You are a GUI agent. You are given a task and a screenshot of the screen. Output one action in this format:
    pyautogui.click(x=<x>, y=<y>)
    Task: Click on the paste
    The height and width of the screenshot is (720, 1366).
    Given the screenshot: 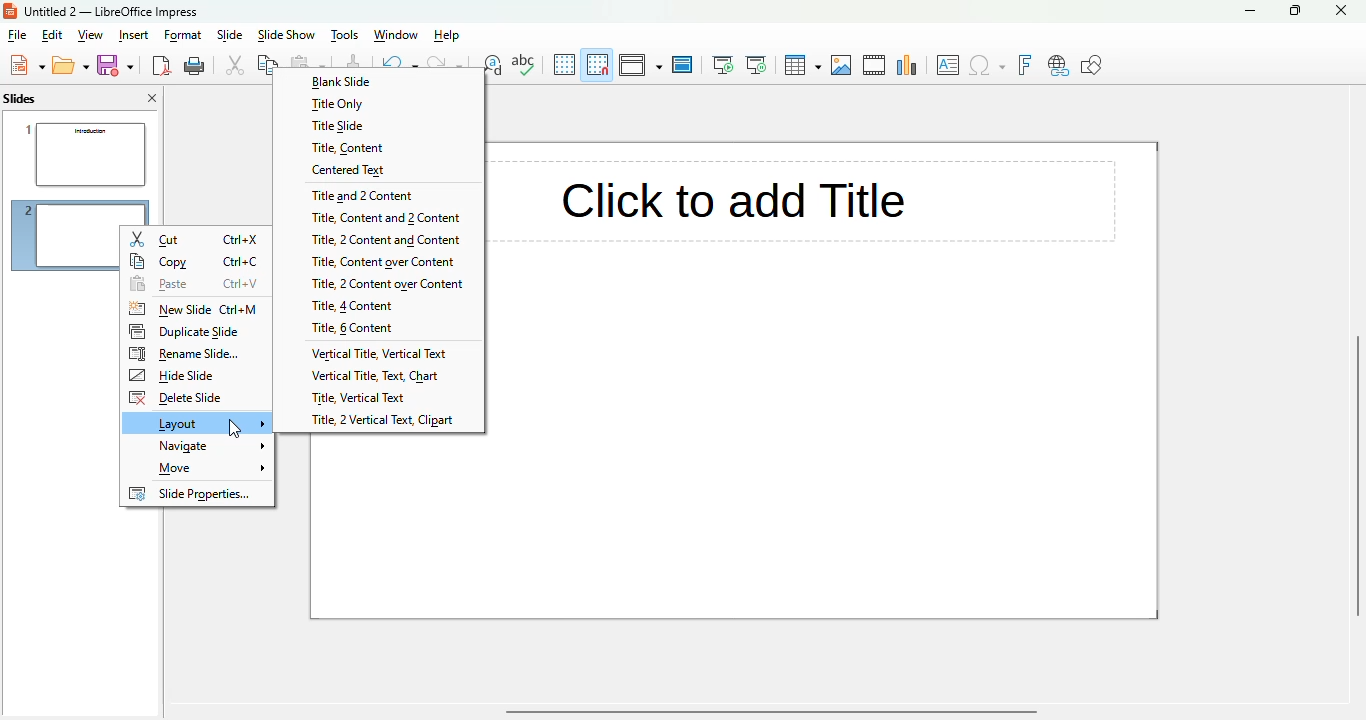 What is the action you would take?
    pyautogui.click(x=196, y=284)
    